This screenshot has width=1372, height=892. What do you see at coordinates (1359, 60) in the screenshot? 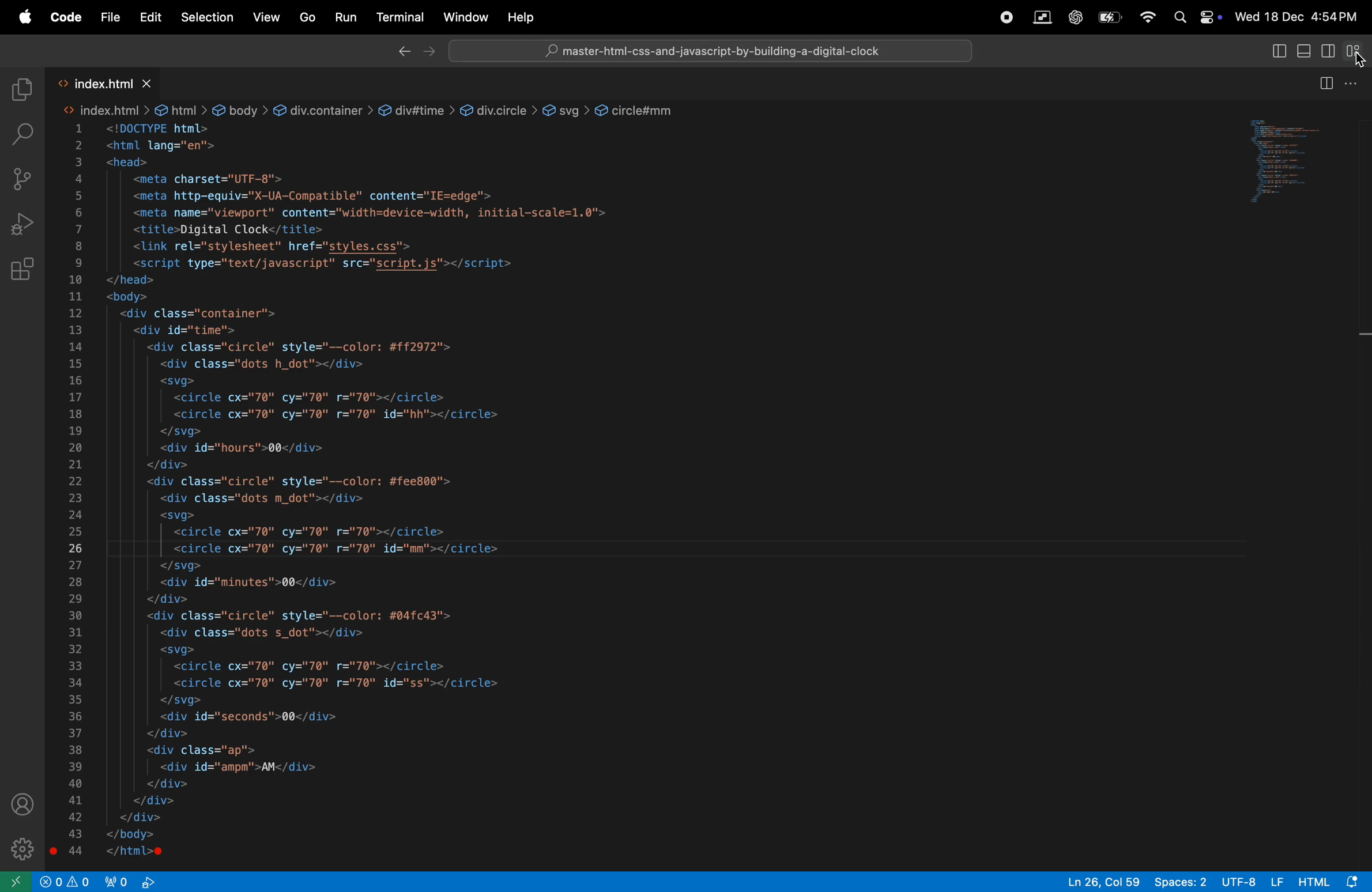
I see `cursor` at bounding box center [1359, 60].